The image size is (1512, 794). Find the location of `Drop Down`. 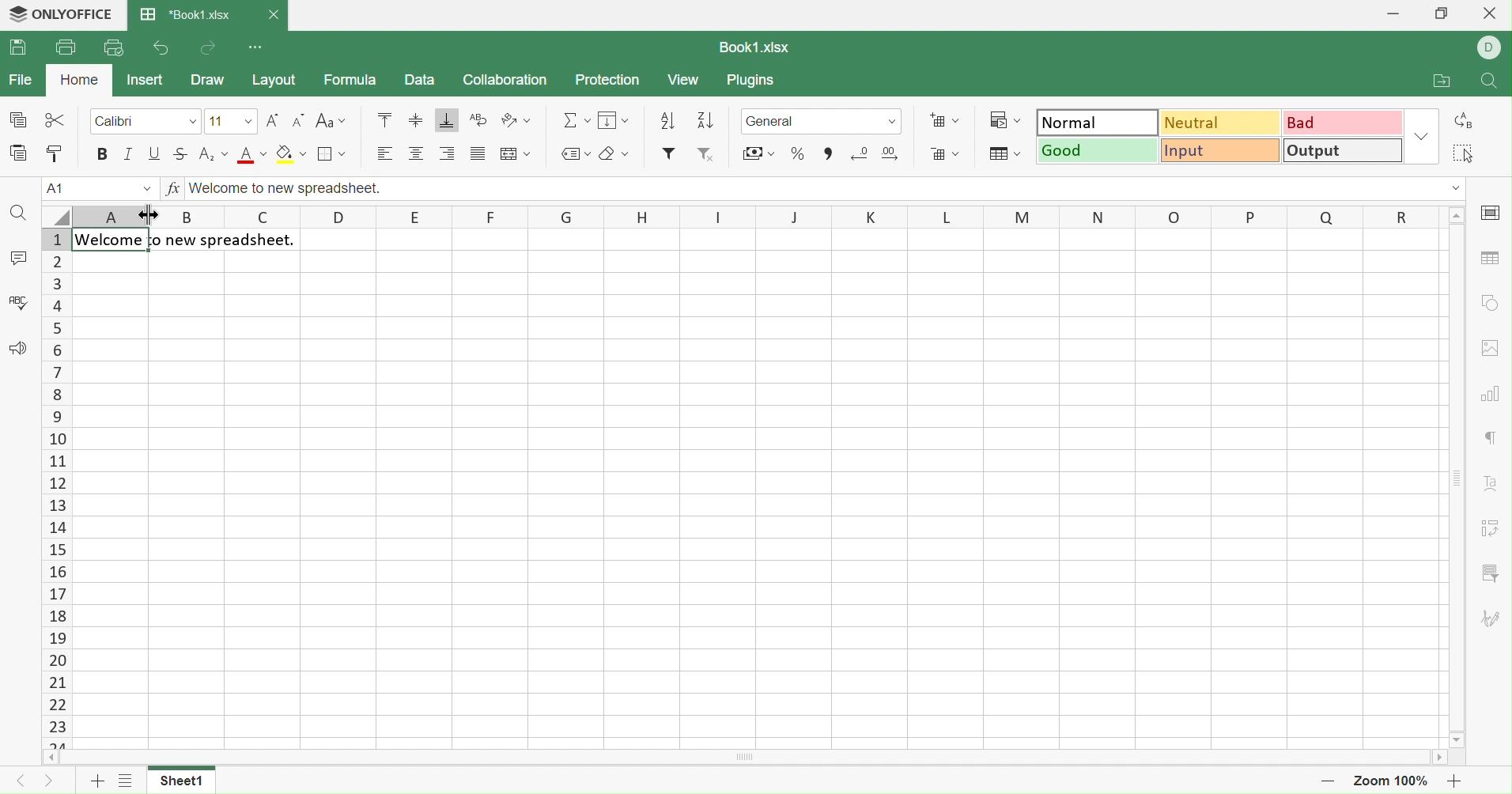

Drop Down is located at coordinates (195, 121).